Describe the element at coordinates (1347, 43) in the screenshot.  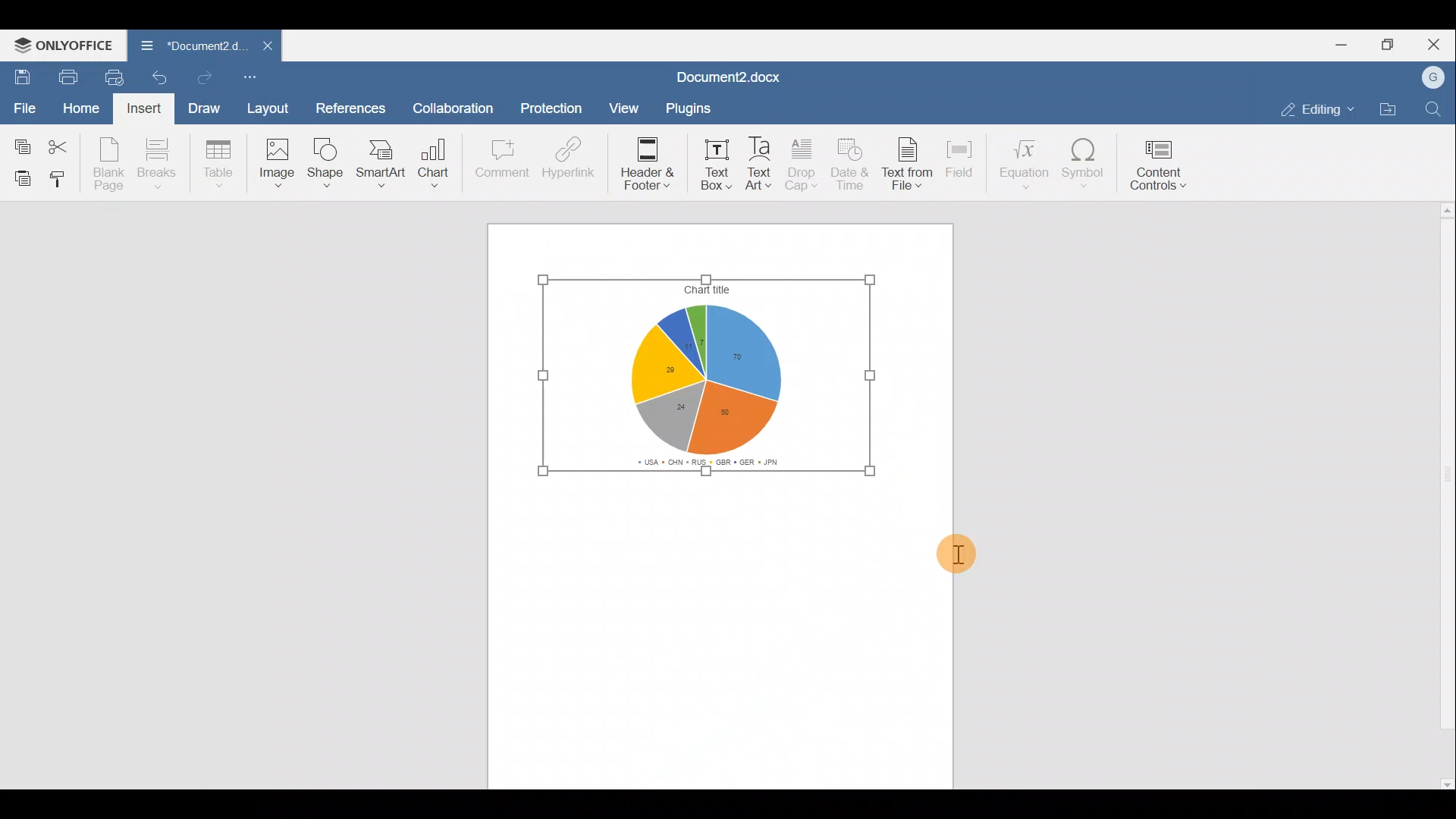
I see `Minimize` at that location.